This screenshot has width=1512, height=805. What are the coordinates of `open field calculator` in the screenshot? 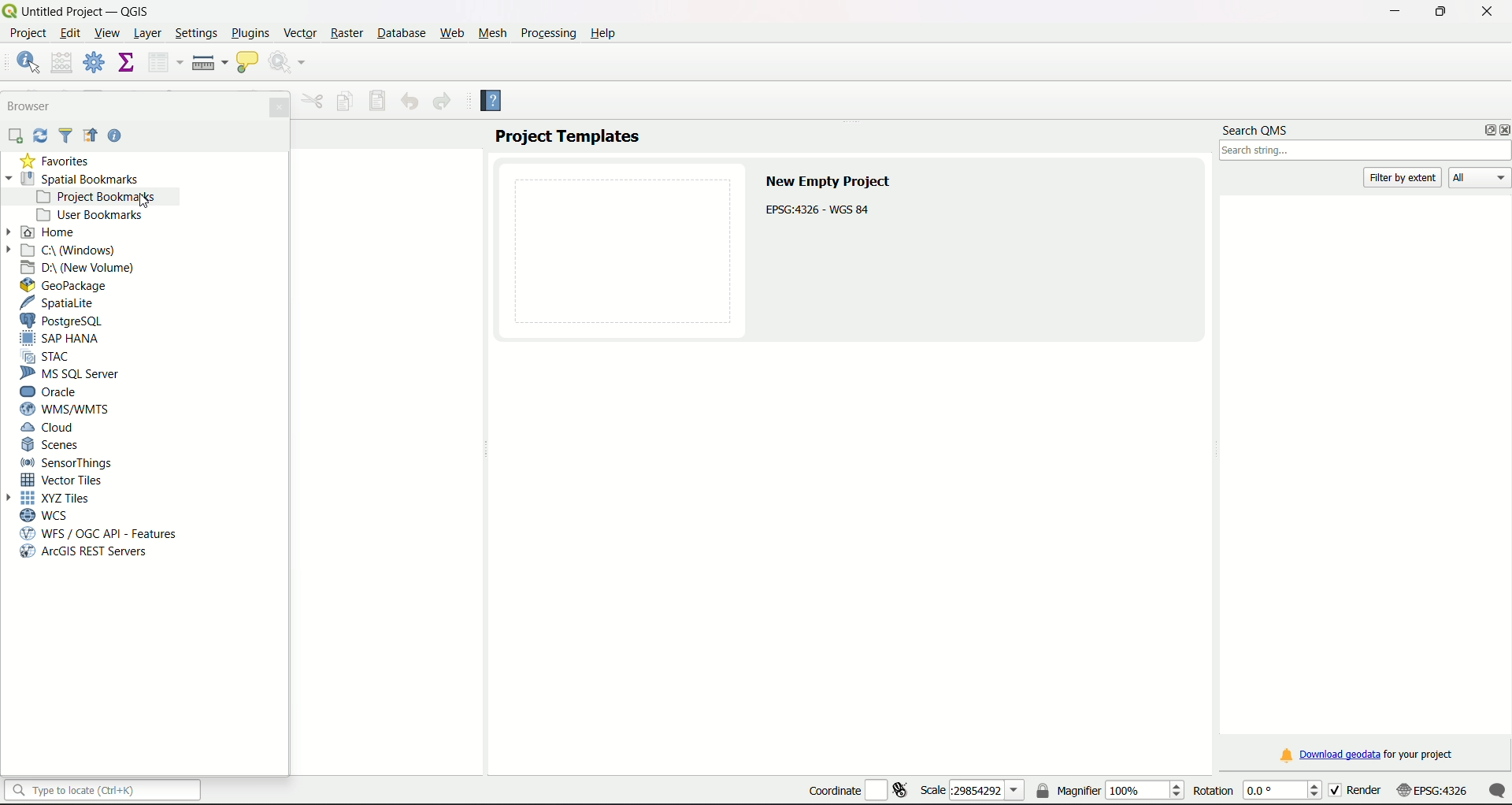 It's located at (62, 61).